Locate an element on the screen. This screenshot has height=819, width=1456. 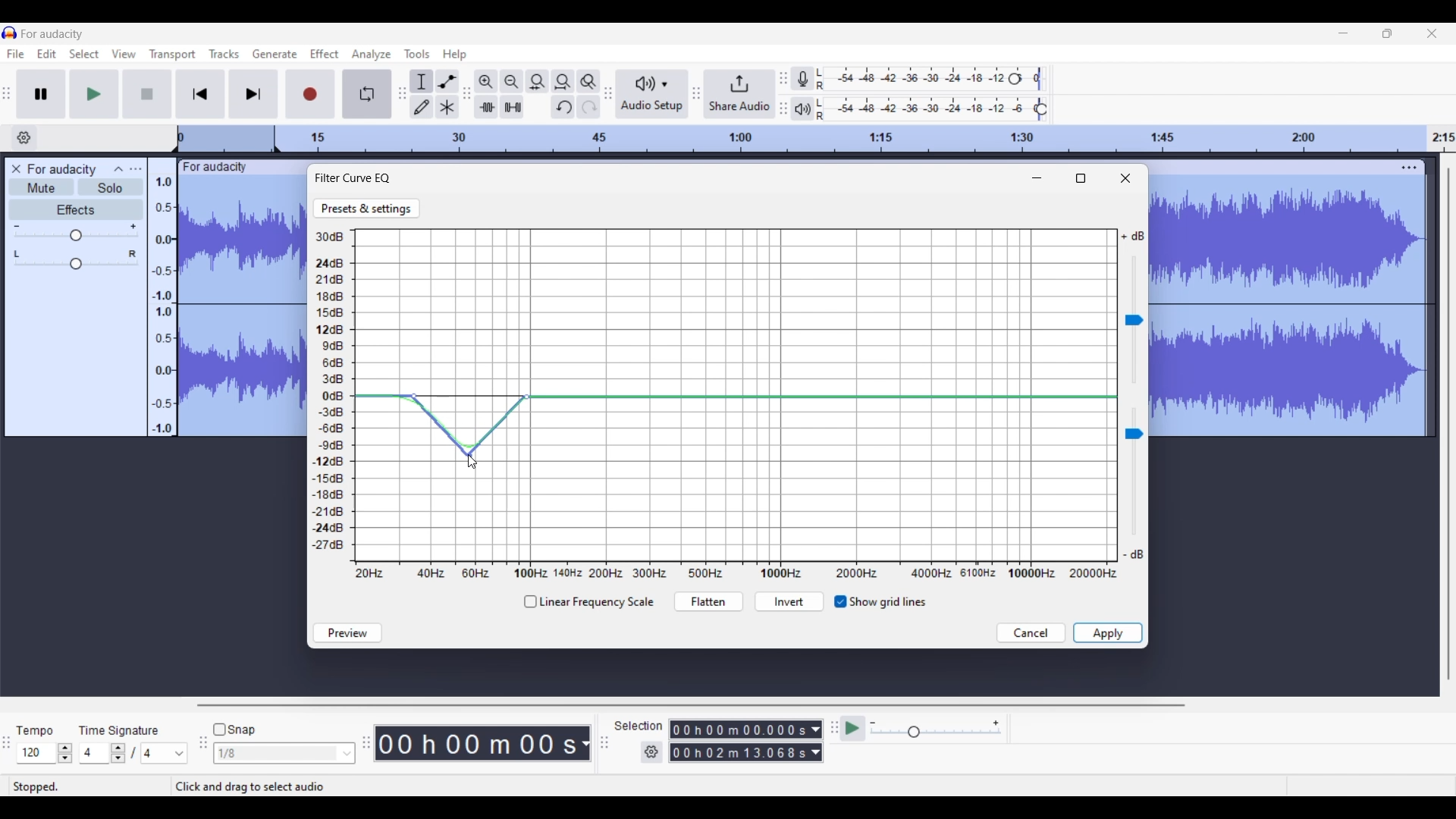
Chnage sound is located at coordinates (1134, 472).